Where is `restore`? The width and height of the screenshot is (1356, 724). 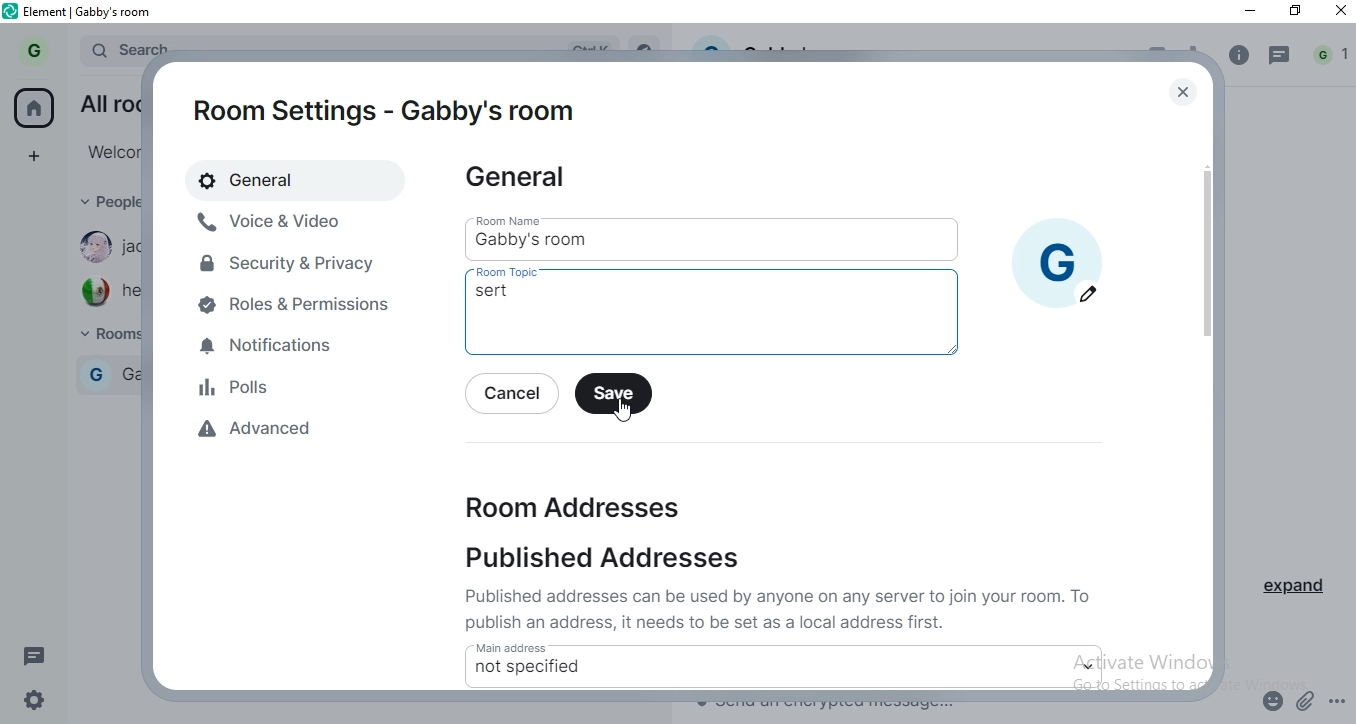 restore is located at coordinates (1296, 12).